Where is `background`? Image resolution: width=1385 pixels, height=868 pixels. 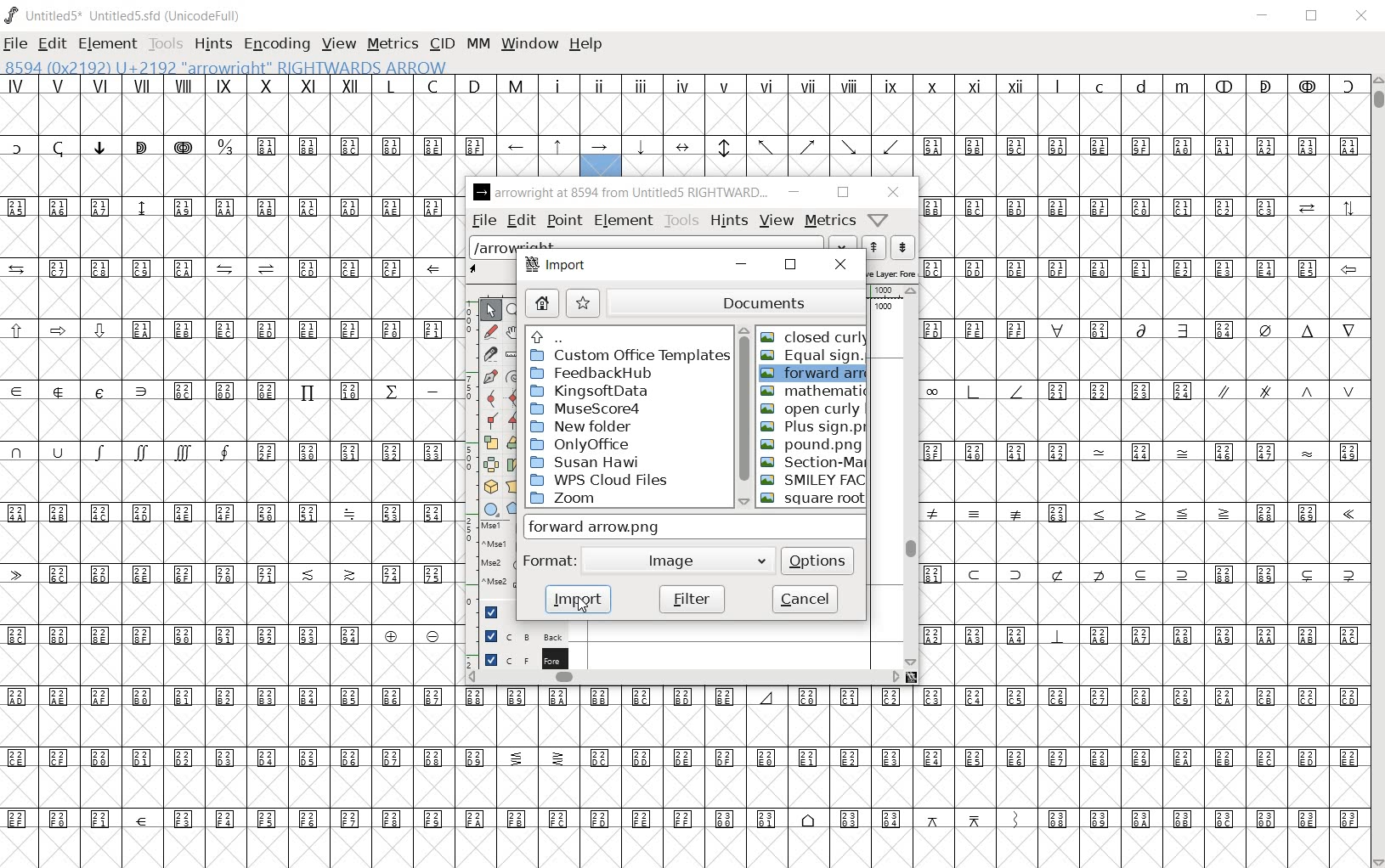 background is located at coordinates (516, 635).